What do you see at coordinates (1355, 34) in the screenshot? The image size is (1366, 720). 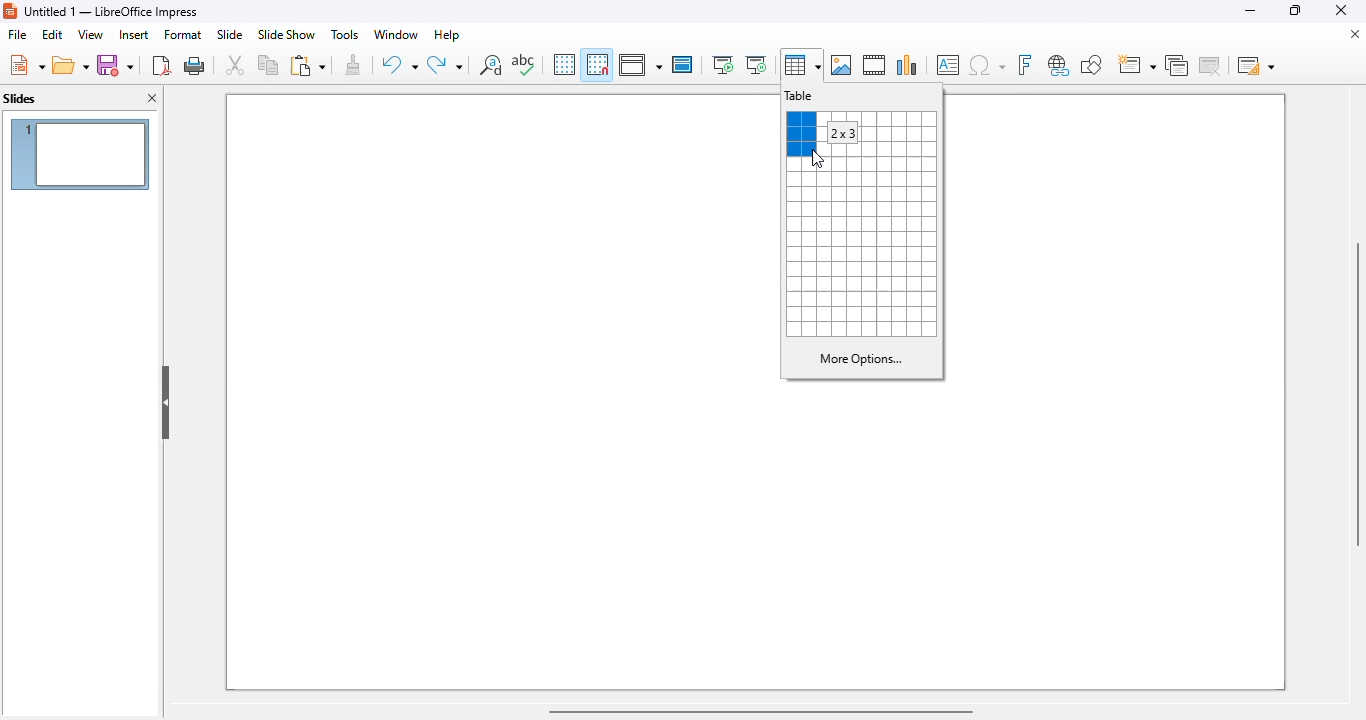 I see `close document` at bounding box center [1355, 34].